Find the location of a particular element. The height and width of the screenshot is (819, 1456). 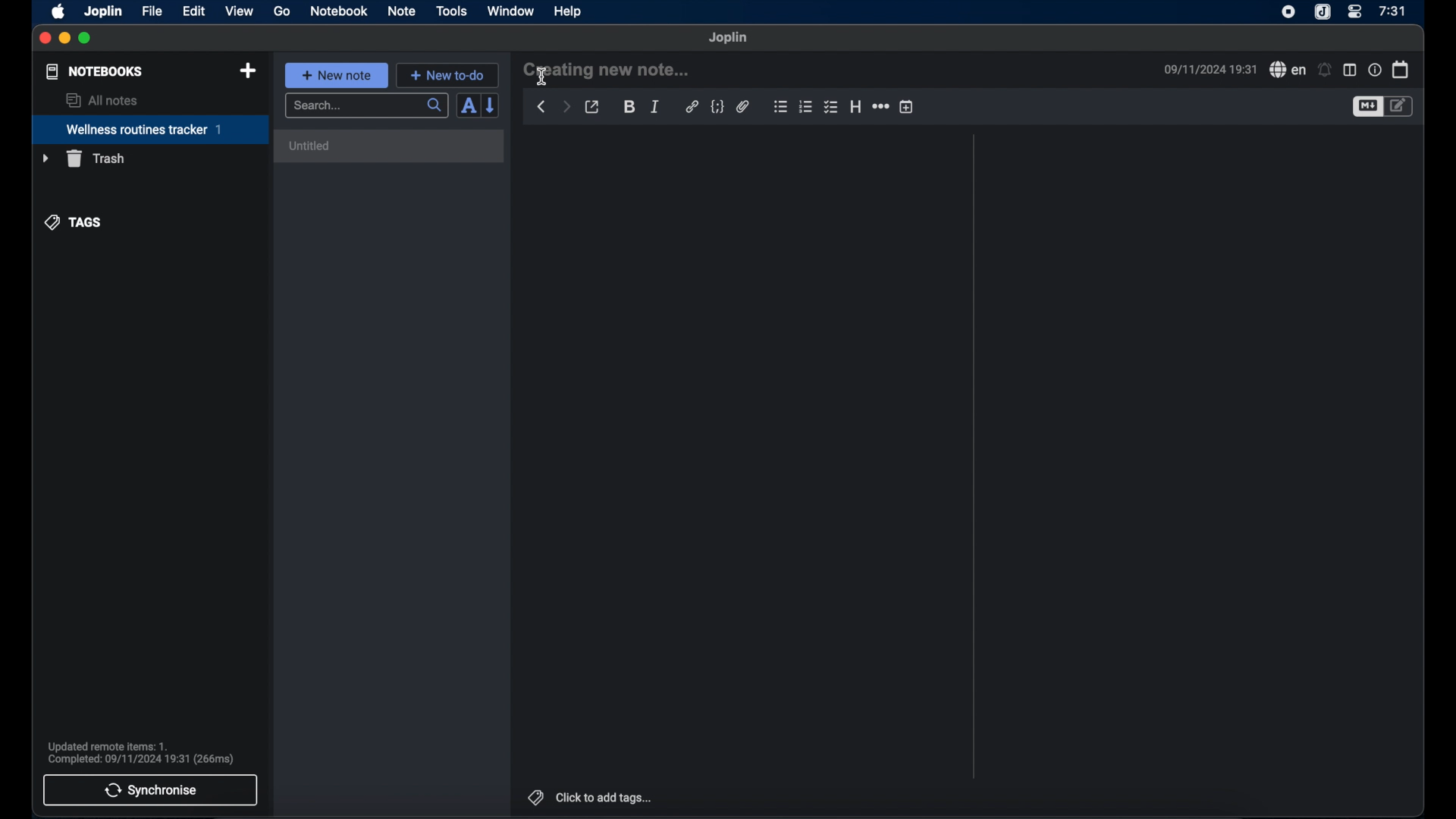

toggle sort order field is located at coordinates (468, 105).